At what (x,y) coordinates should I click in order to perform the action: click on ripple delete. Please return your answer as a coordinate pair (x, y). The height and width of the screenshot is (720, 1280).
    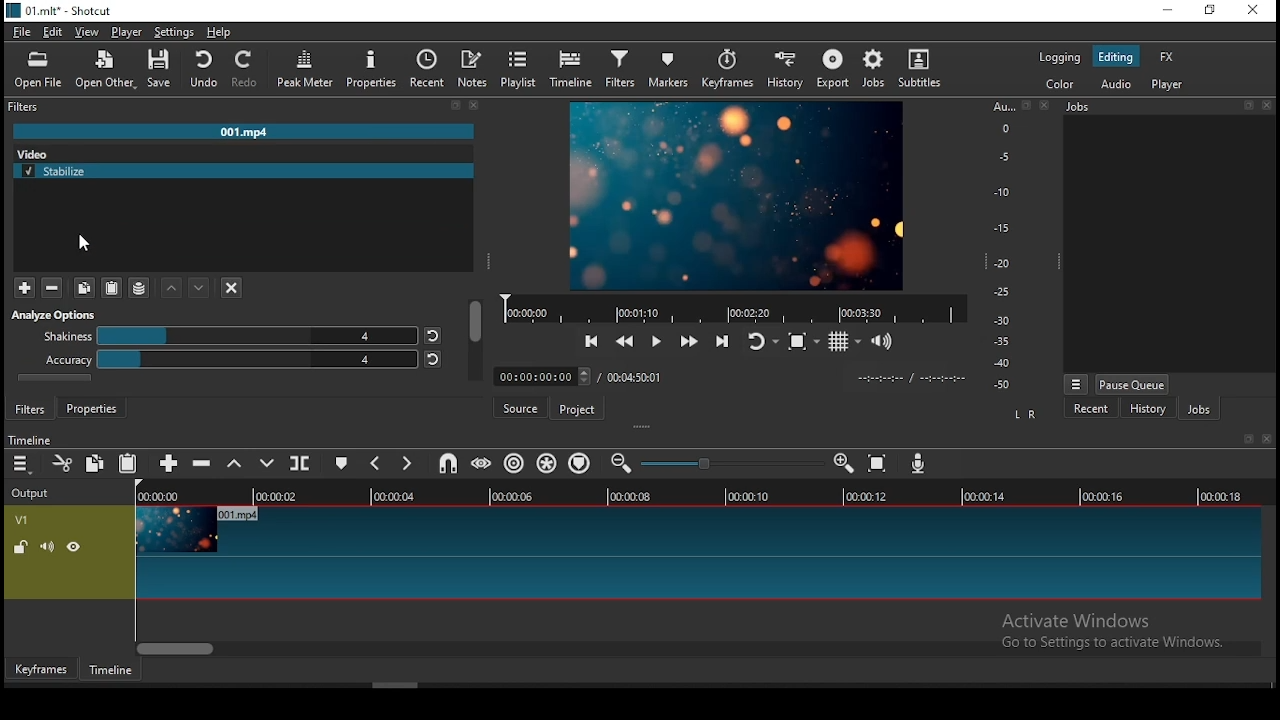
    Looking at the image, I should click on (203, 464).